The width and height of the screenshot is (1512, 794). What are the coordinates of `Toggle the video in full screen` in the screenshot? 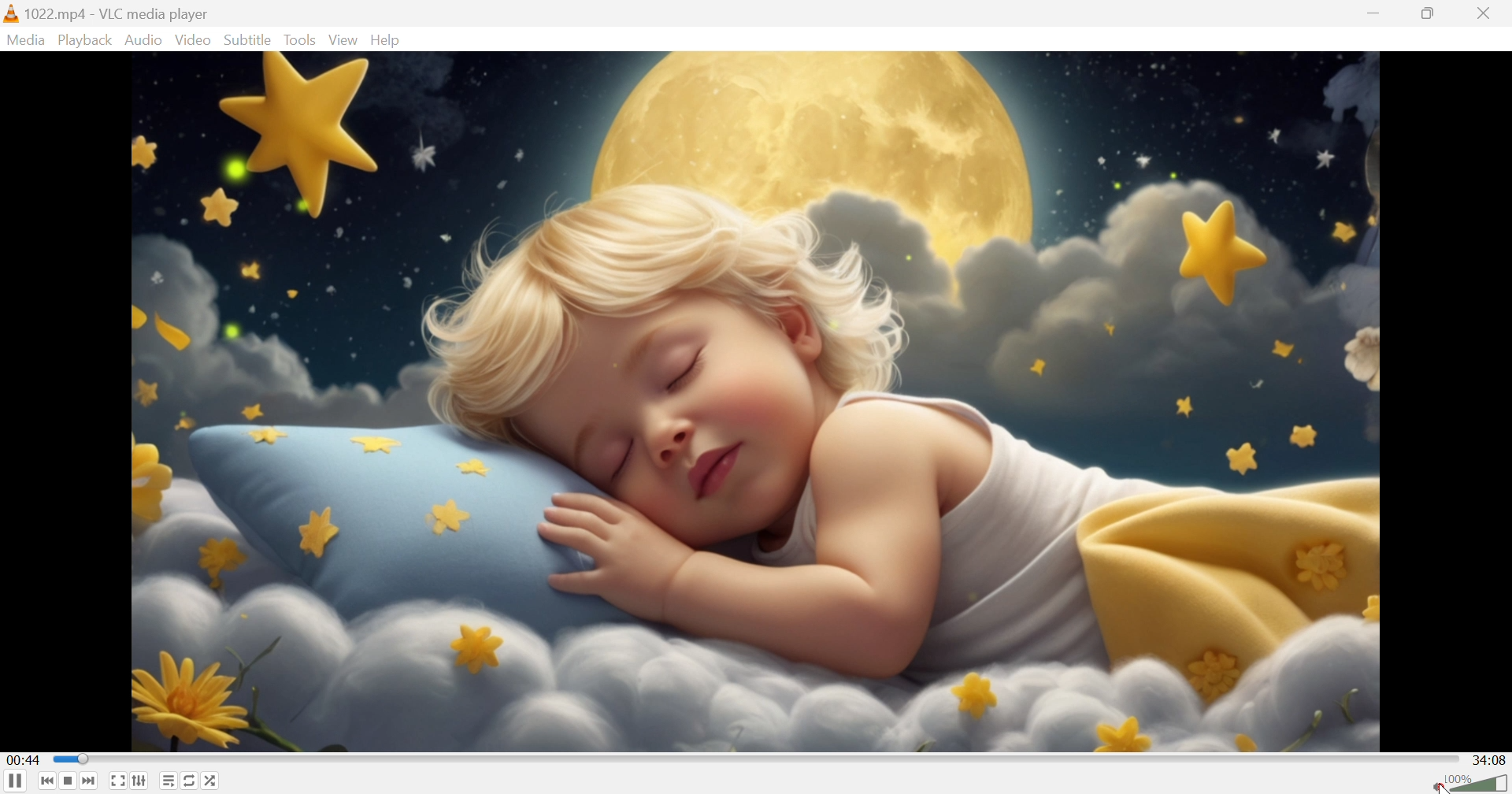 It's located at (118, 784).